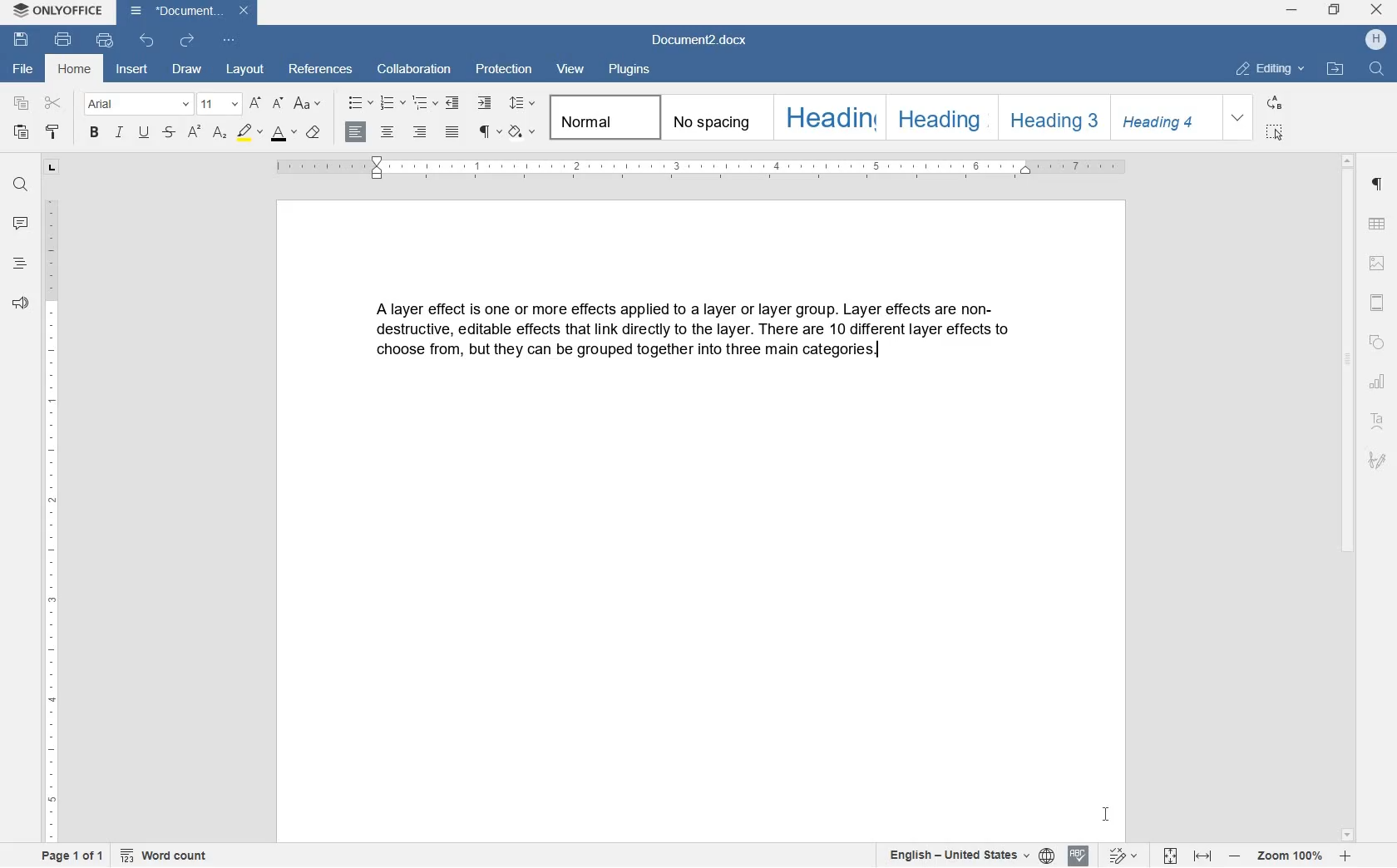 This screenshot has height=868, width=1397. Describe the element at coordinates (144, 133) in the screenshot. I see `UNDERLINE` at that location.